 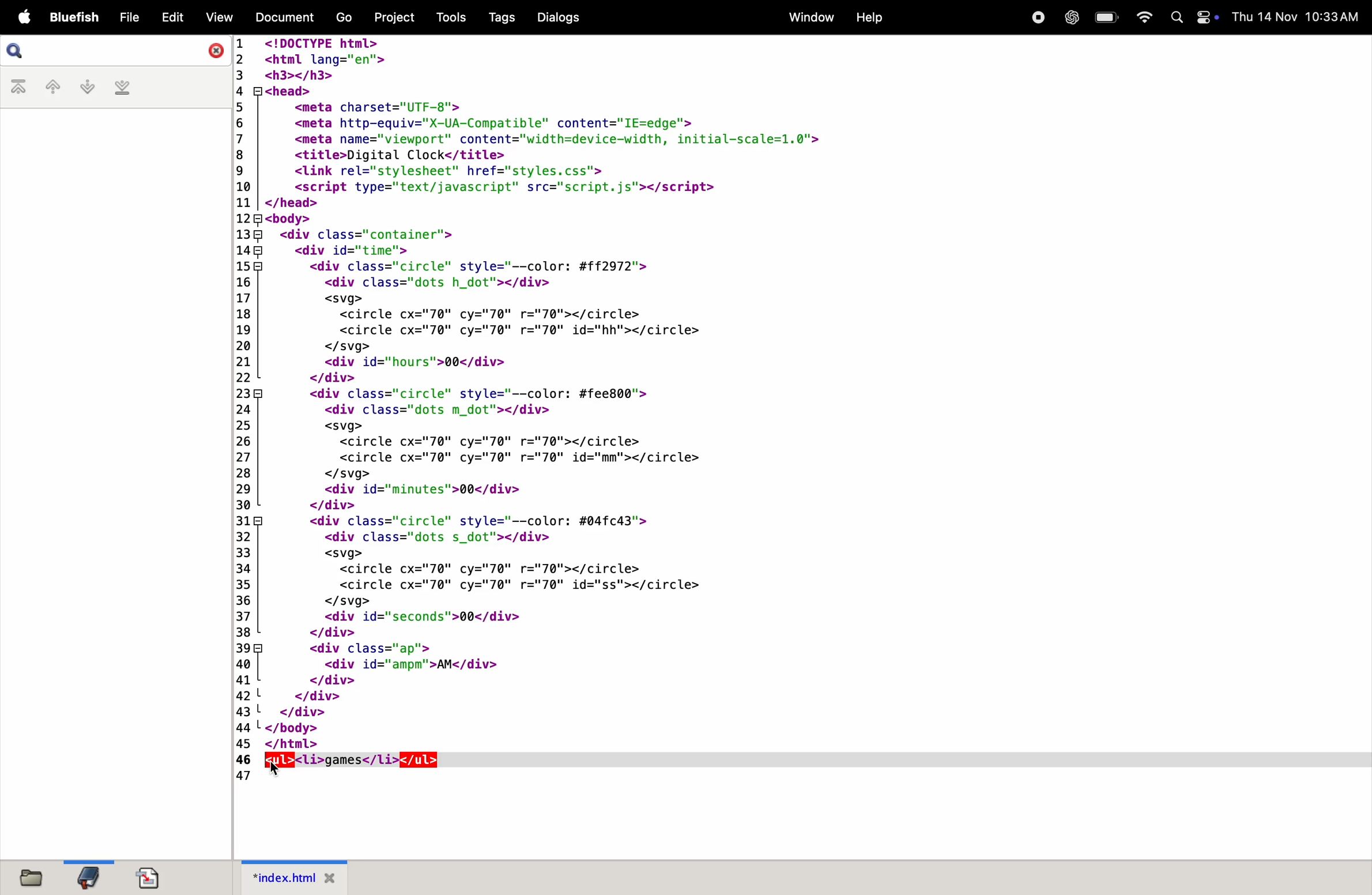 What do you see at coordinates (1104, 18) in the screenshot?
I see `battery` at bounding box center [1104, 18].